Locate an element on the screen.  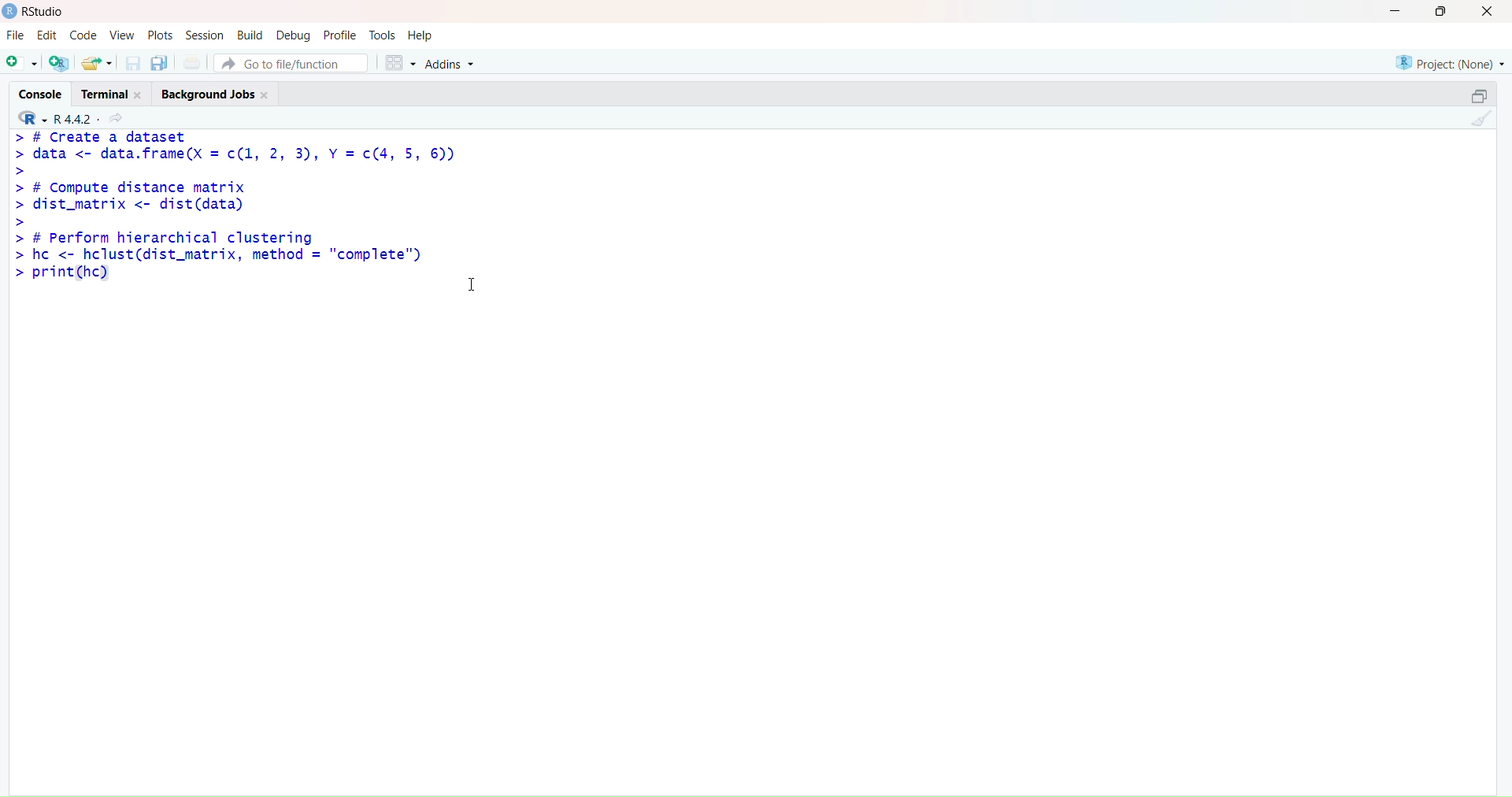
View is located at coordinates (122, 35).